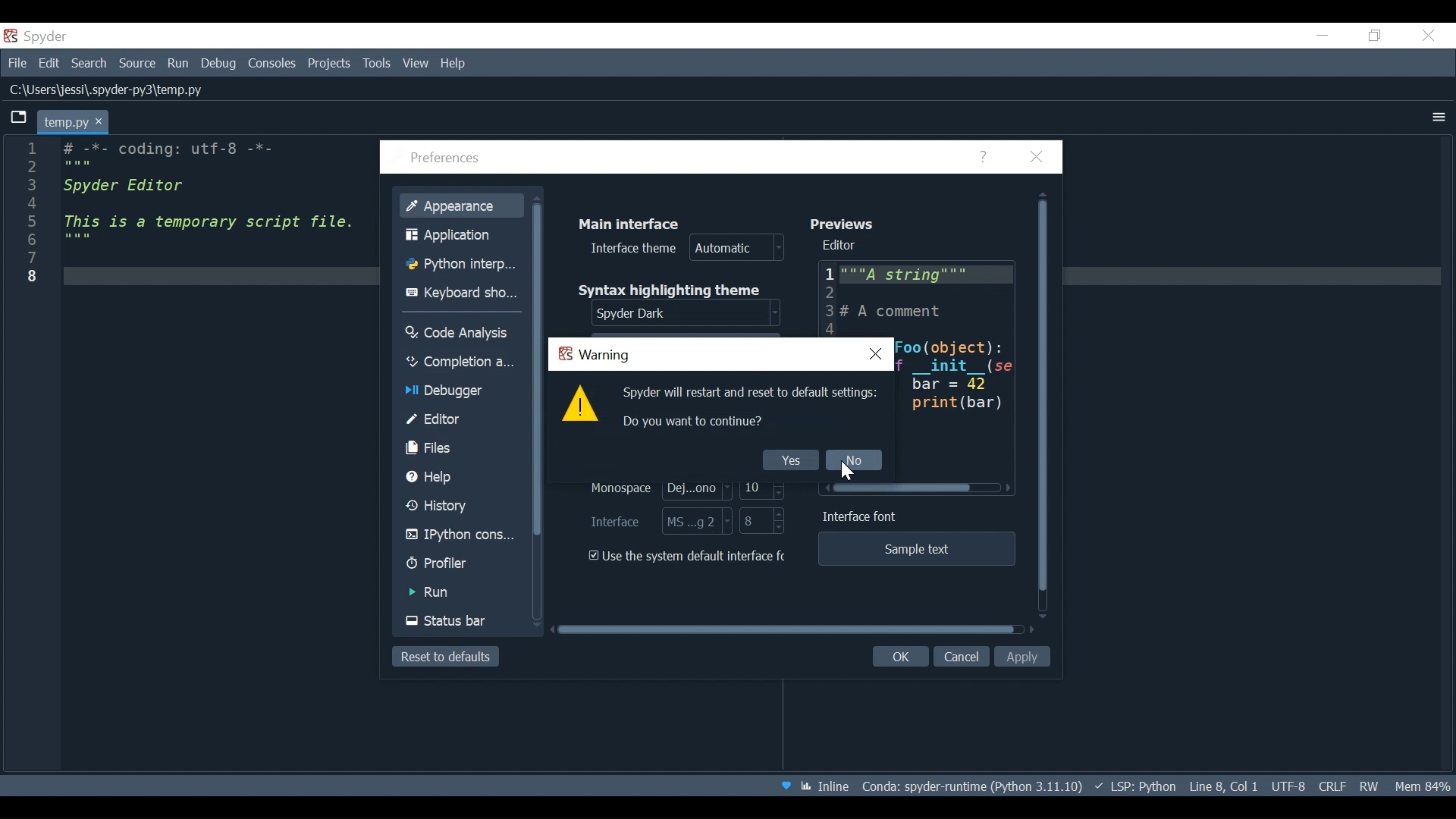  I want to click on Browse Tab, so click(19, 118).